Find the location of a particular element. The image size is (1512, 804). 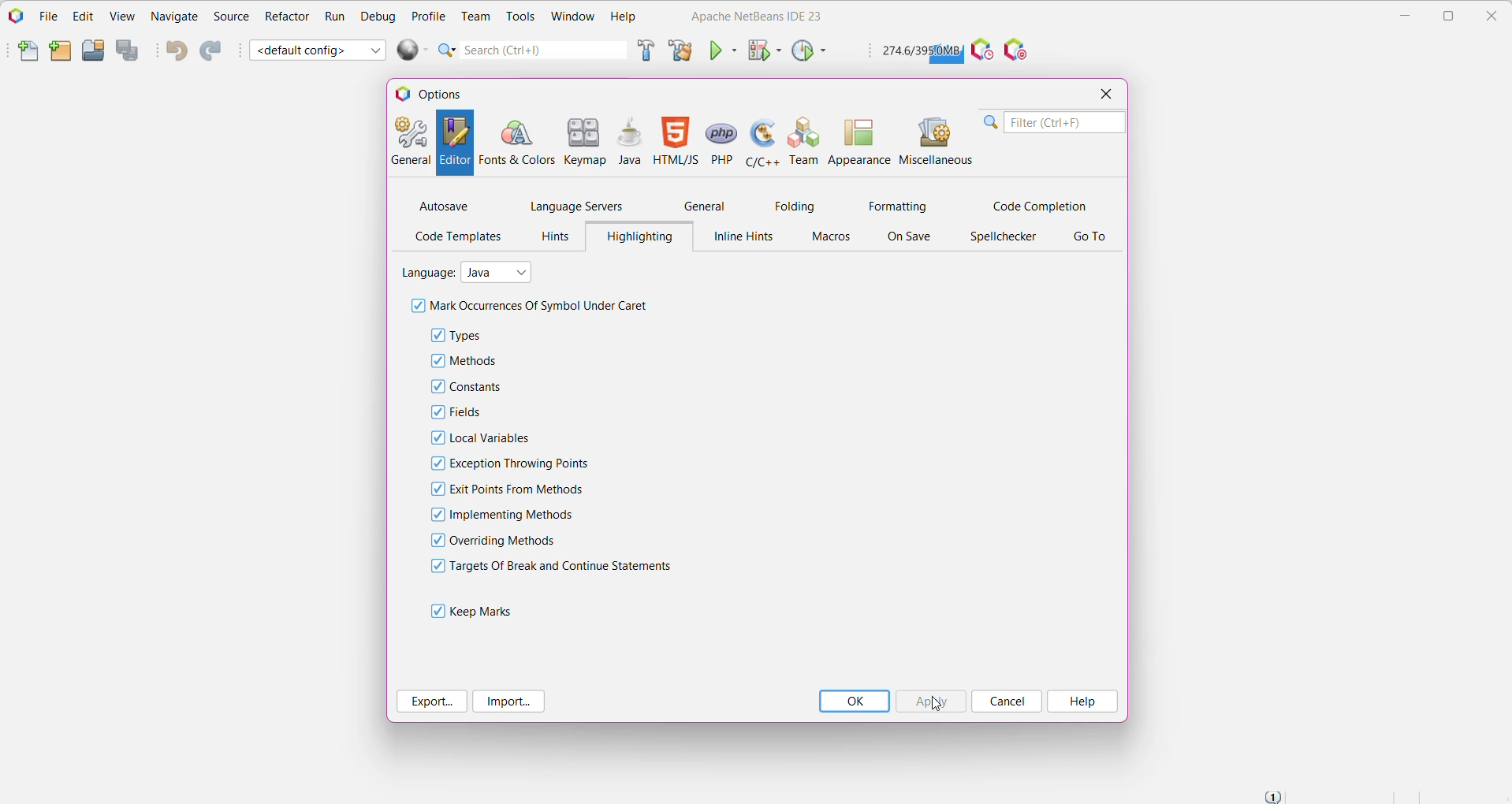

Language is located at coordinates (427, 271).